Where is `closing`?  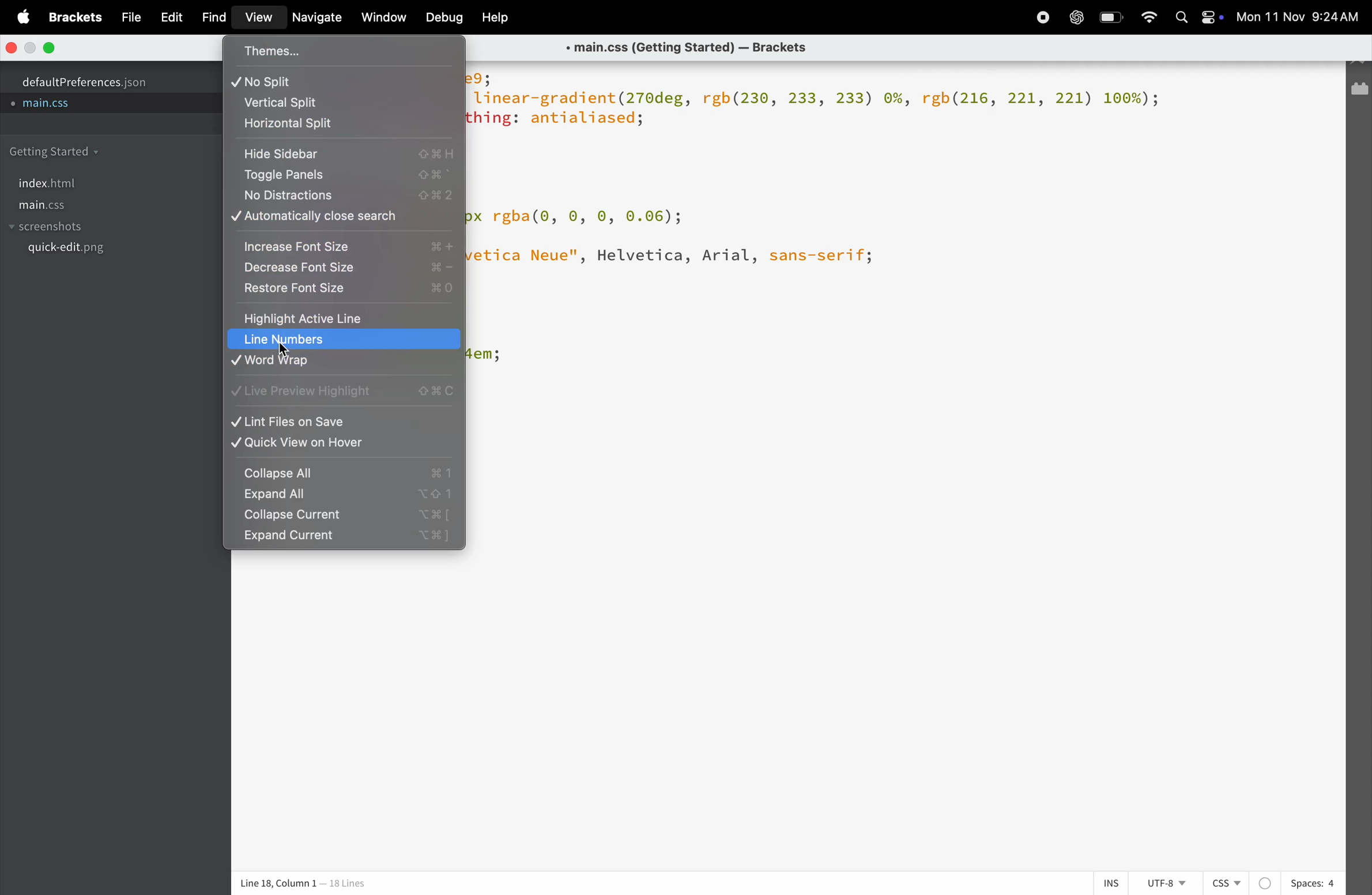
closing is located at coordinates (13, 48).